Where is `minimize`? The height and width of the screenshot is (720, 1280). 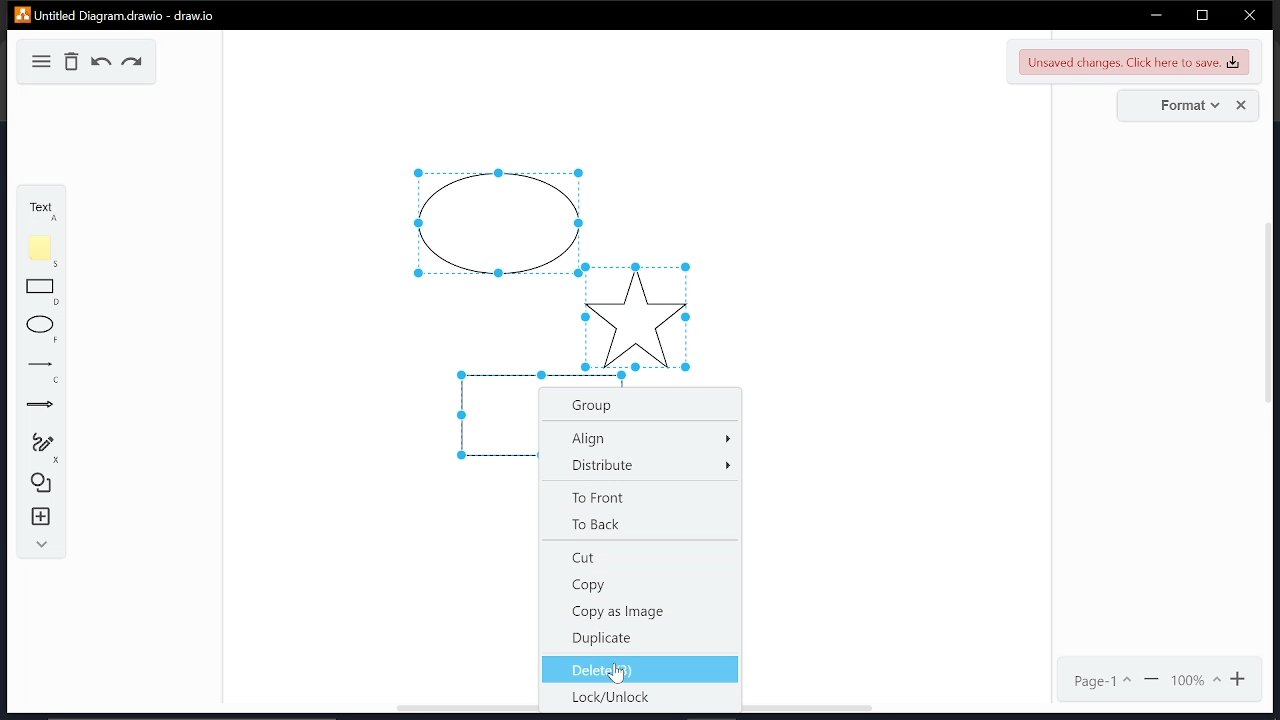 minimize is located at coordinates (1156, 15).